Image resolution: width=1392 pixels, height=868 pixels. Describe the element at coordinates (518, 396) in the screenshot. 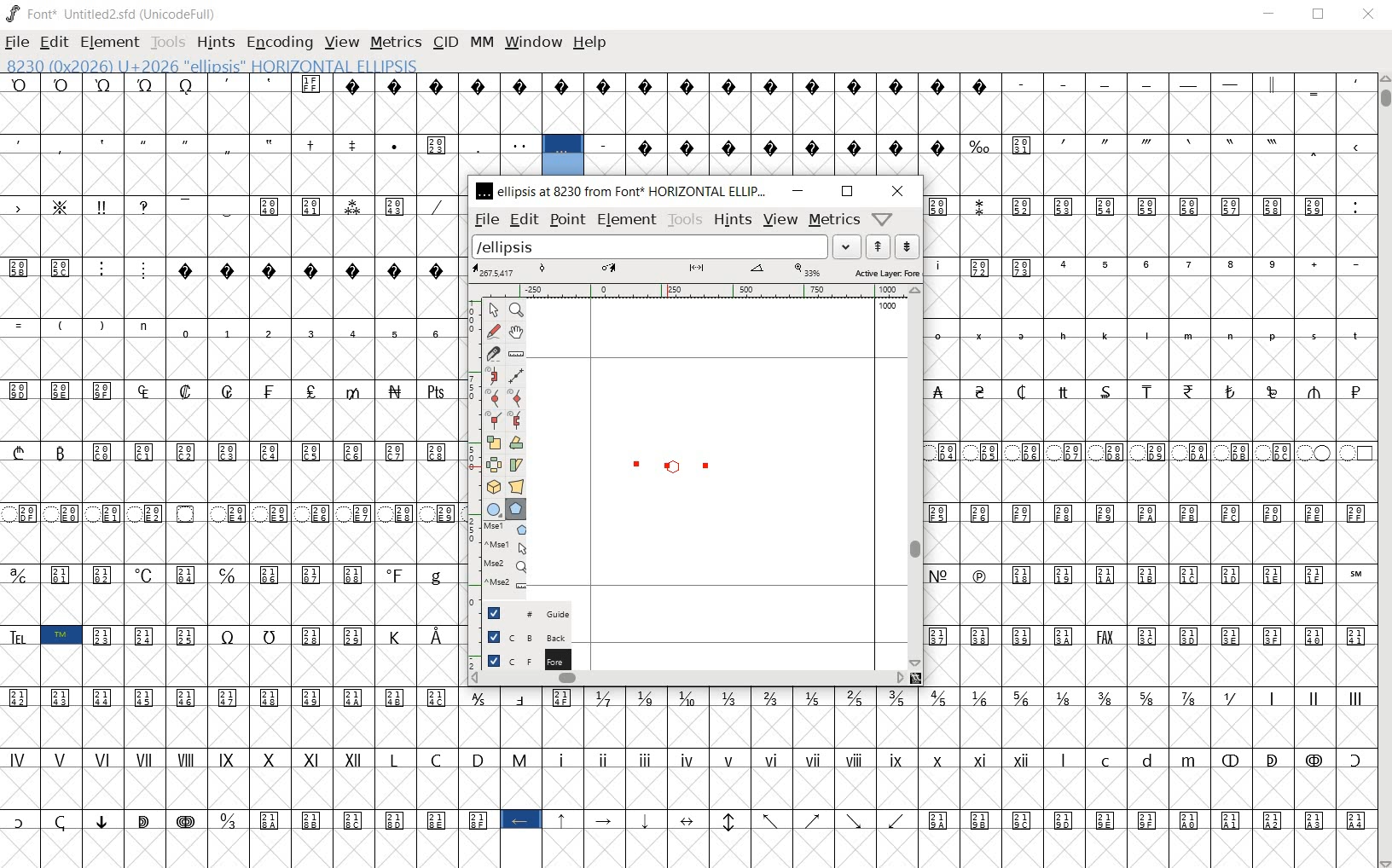

I see `add a curve point always either horizontal or vertical` at that location.